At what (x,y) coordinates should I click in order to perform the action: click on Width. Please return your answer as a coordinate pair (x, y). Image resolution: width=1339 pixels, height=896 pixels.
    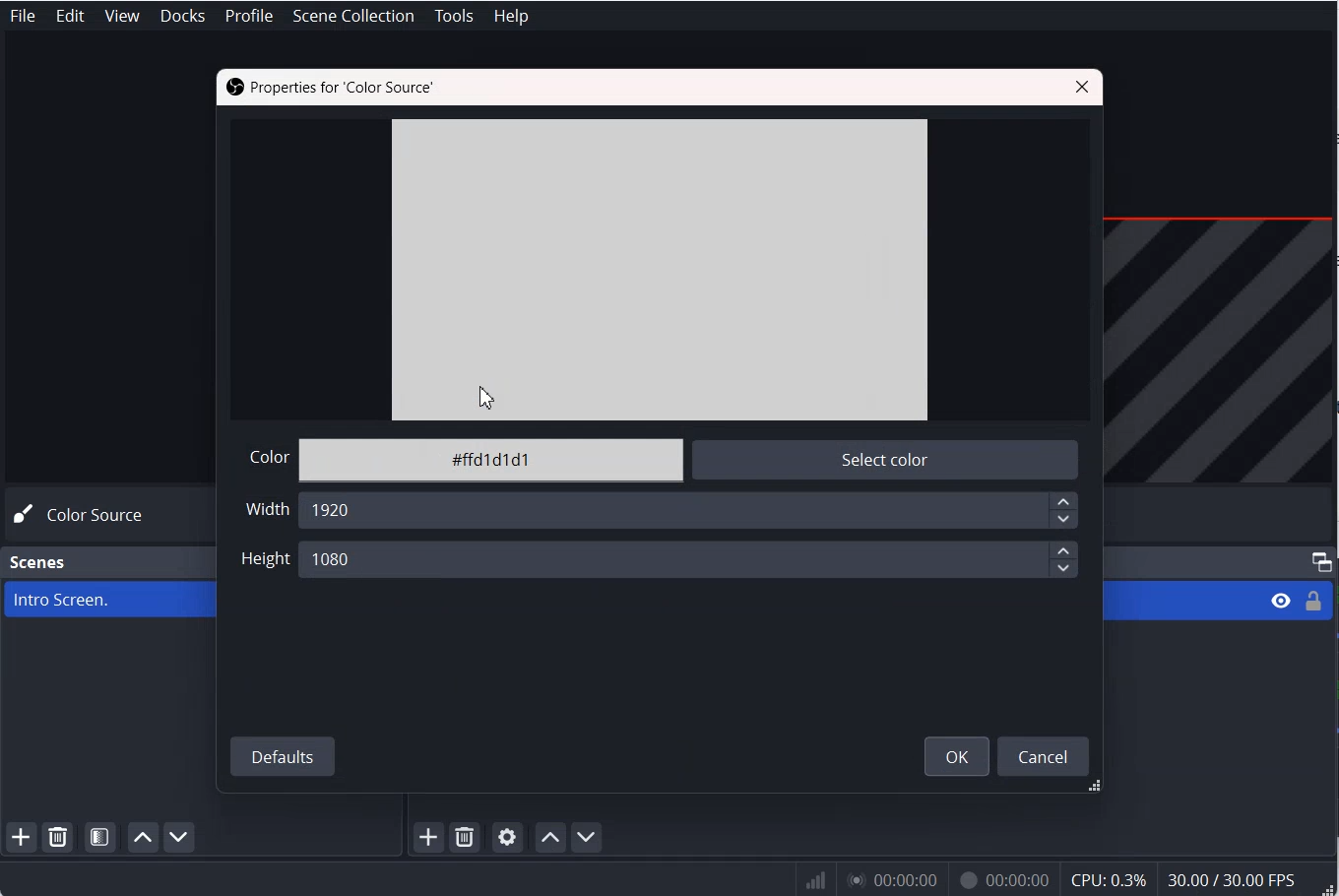
    Looking at the image, I should click on (265, 513).